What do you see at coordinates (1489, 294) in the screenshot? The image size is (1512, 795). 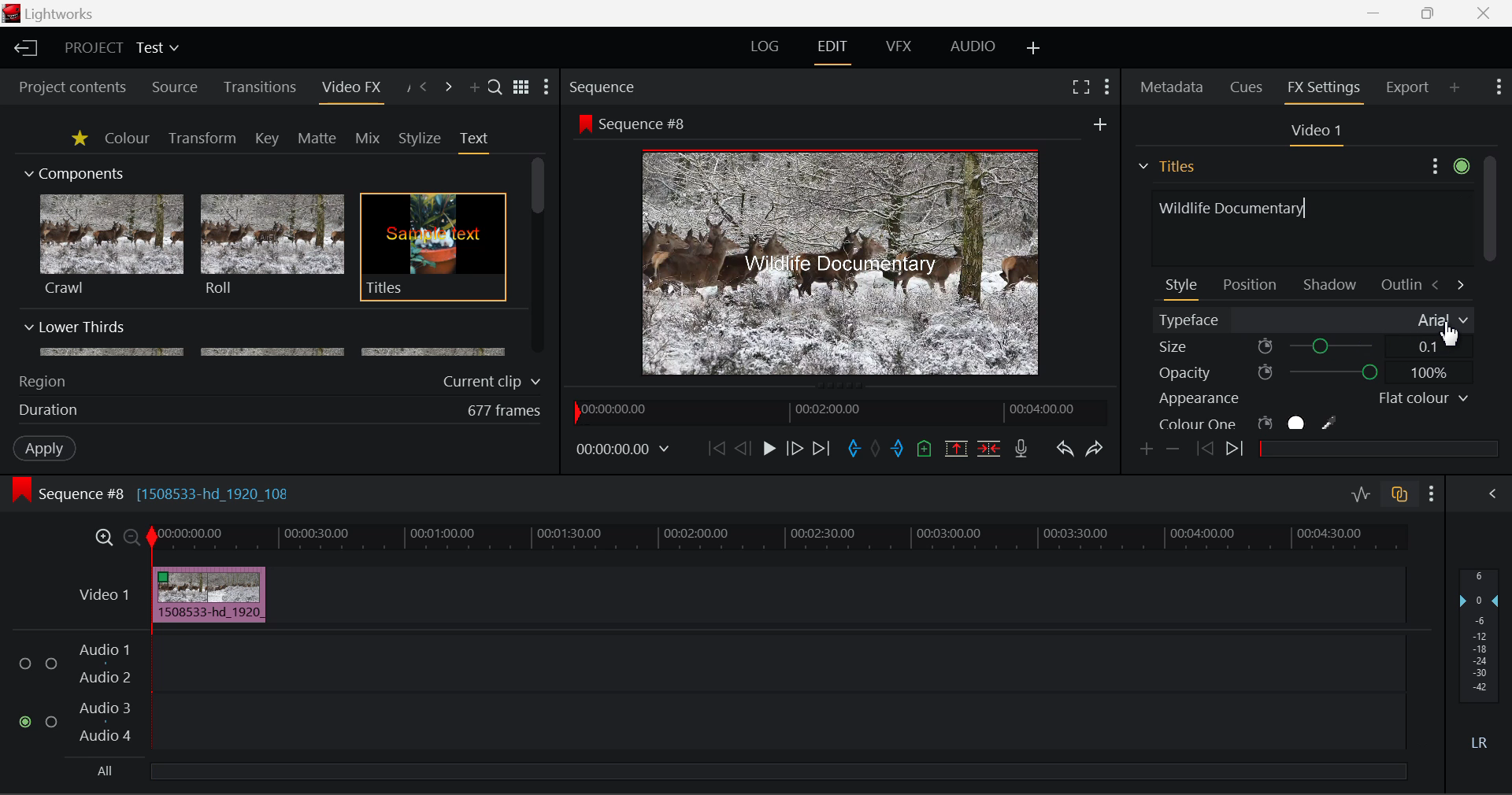 I see `Scroll Bar` at bounding box center [1489, 294].